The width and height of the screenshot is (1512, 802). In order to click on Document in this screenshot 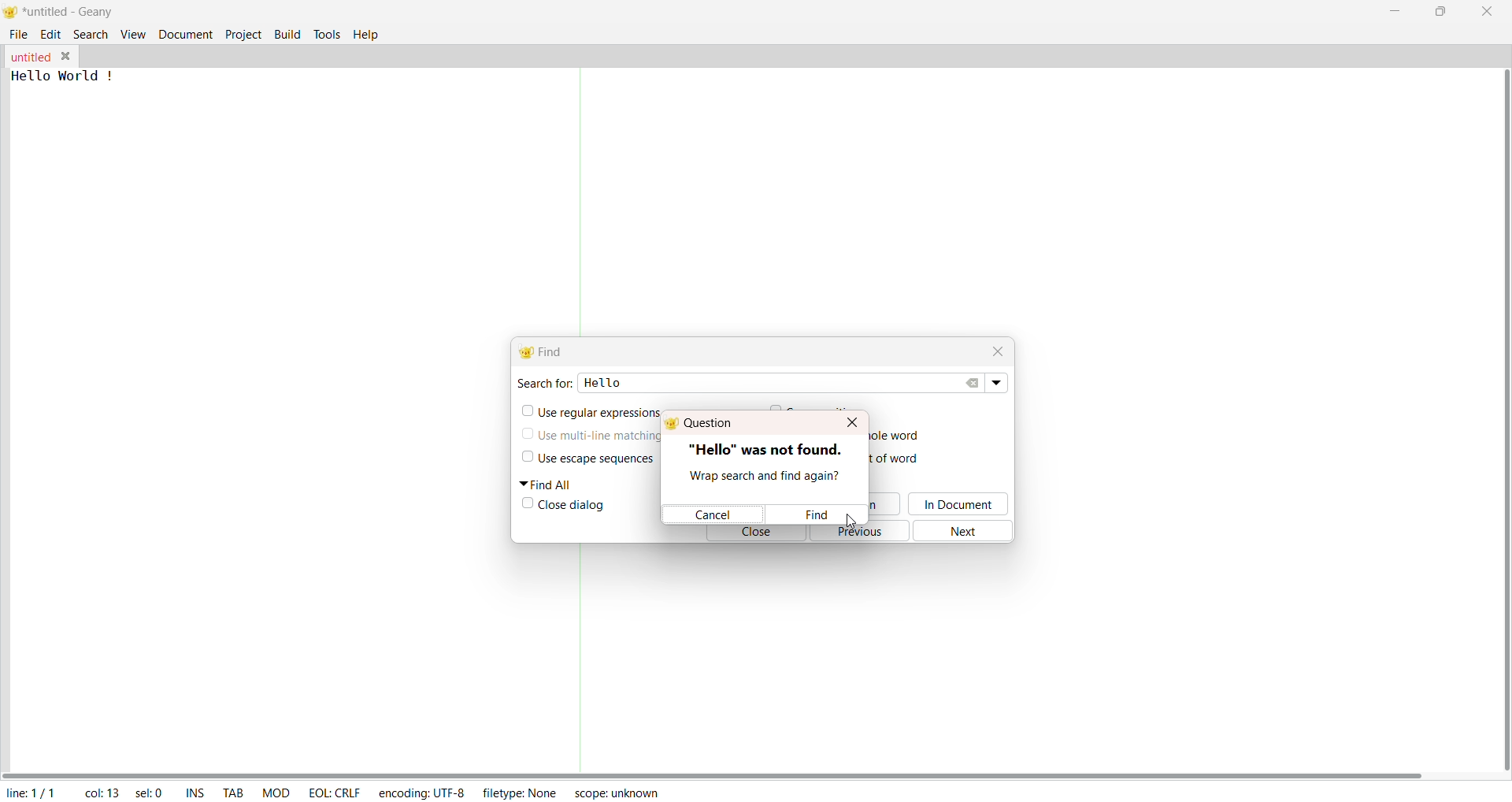, I will do `click(184, 35)`.